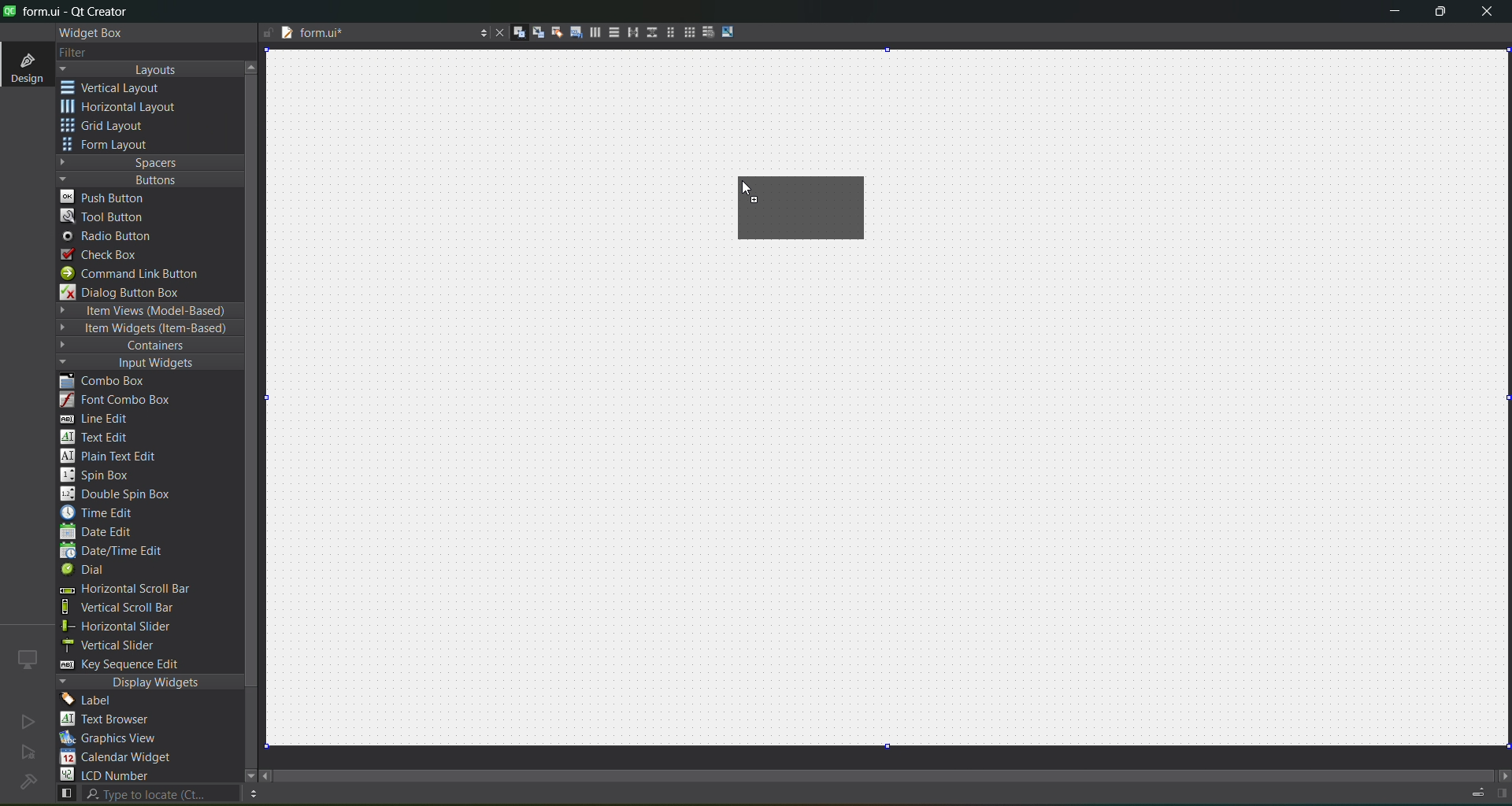  I want to click on scroll bar, so click(896, 771).